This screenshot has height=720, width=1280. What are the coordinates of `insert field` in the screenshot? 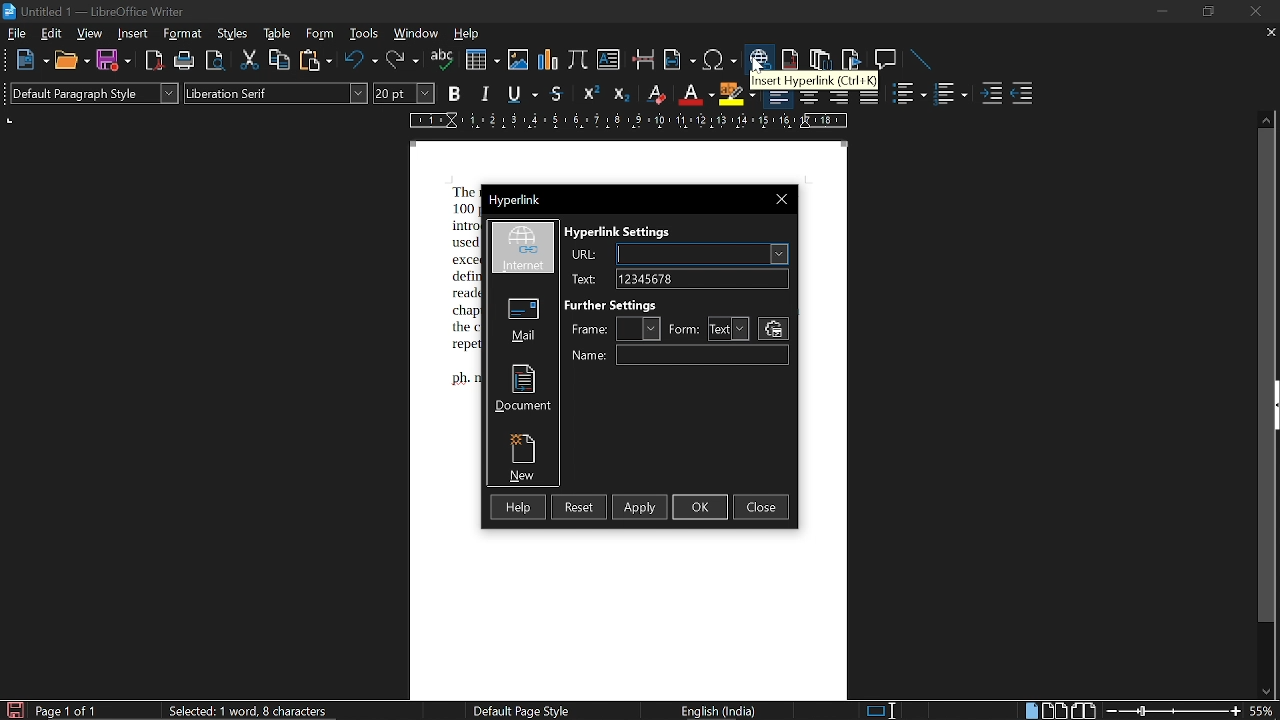 It's located at (678, 60).